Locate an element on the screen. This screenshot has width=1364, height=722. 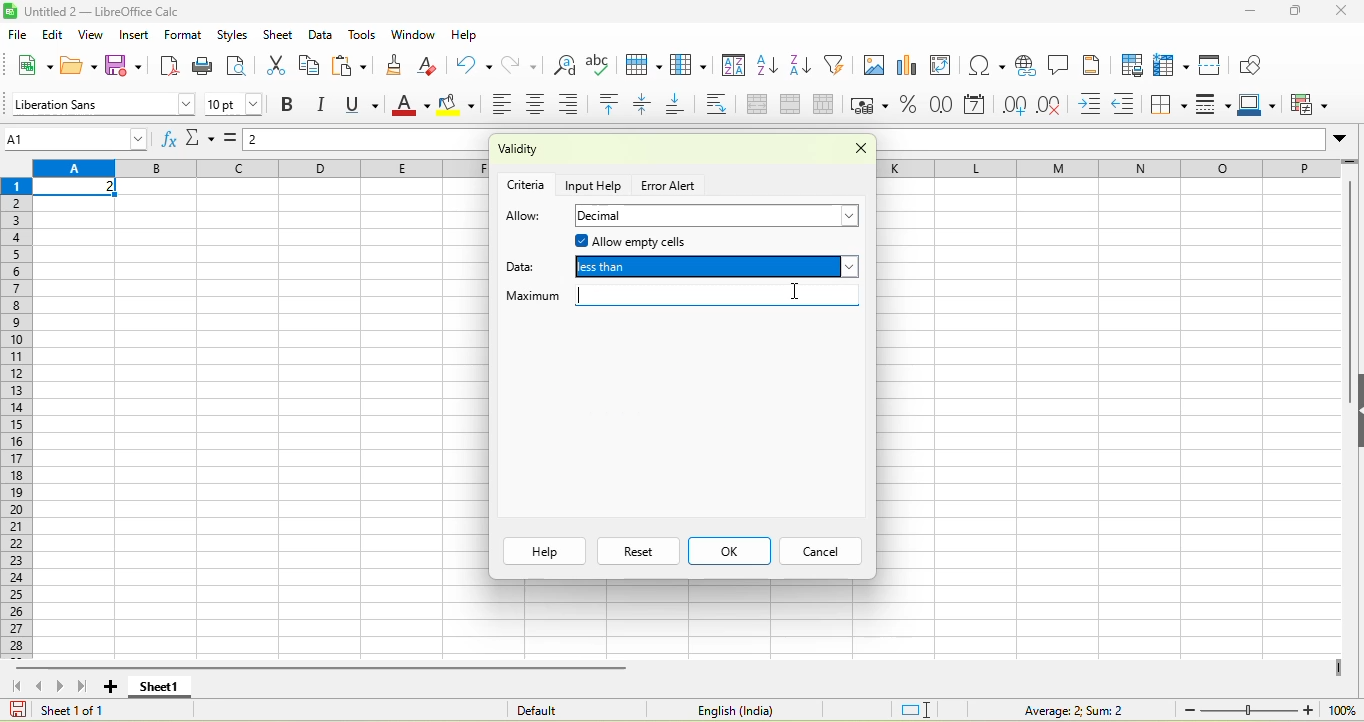
split is located at coordinates (828, 105).